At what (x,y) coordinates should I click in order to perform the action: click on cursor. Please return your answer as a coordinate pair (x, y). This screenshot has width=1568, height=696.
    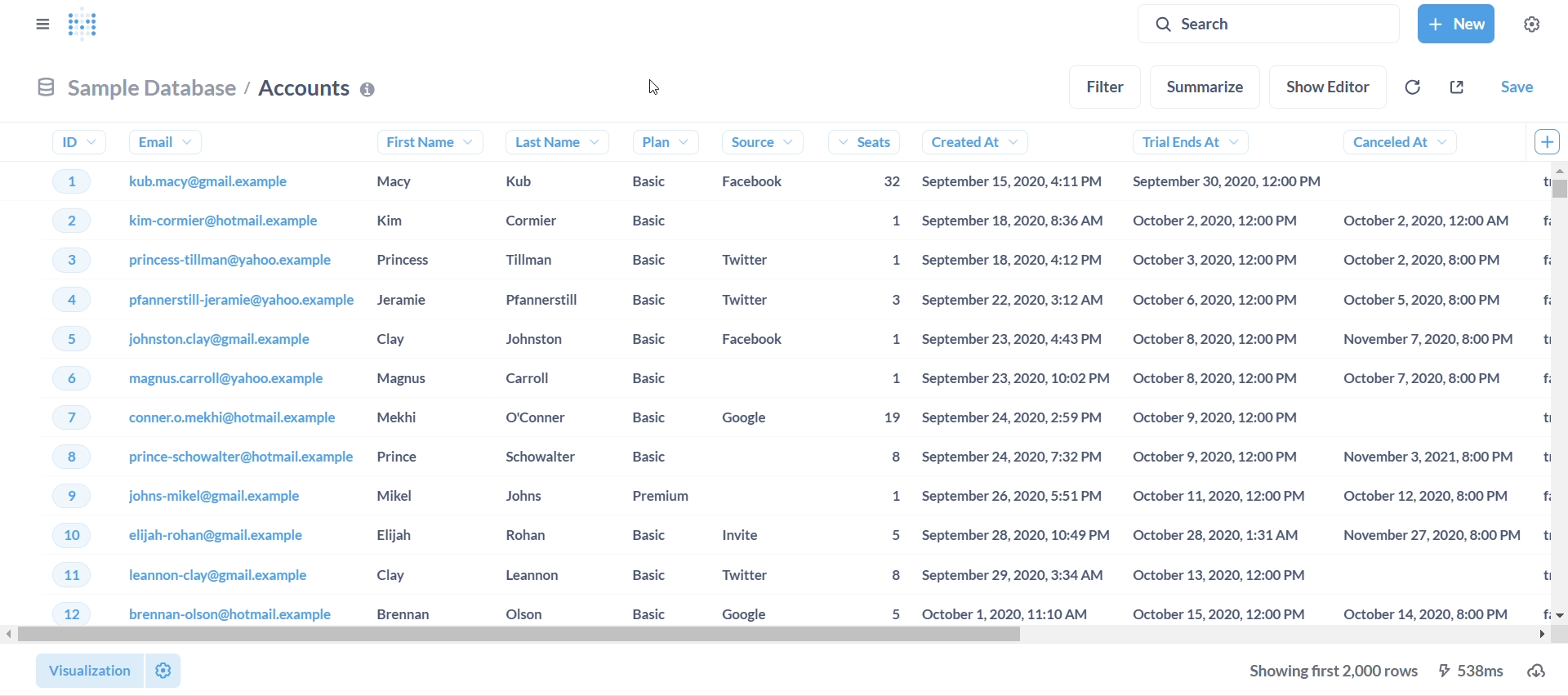
    Looking at the image, I should click on (654, 87).